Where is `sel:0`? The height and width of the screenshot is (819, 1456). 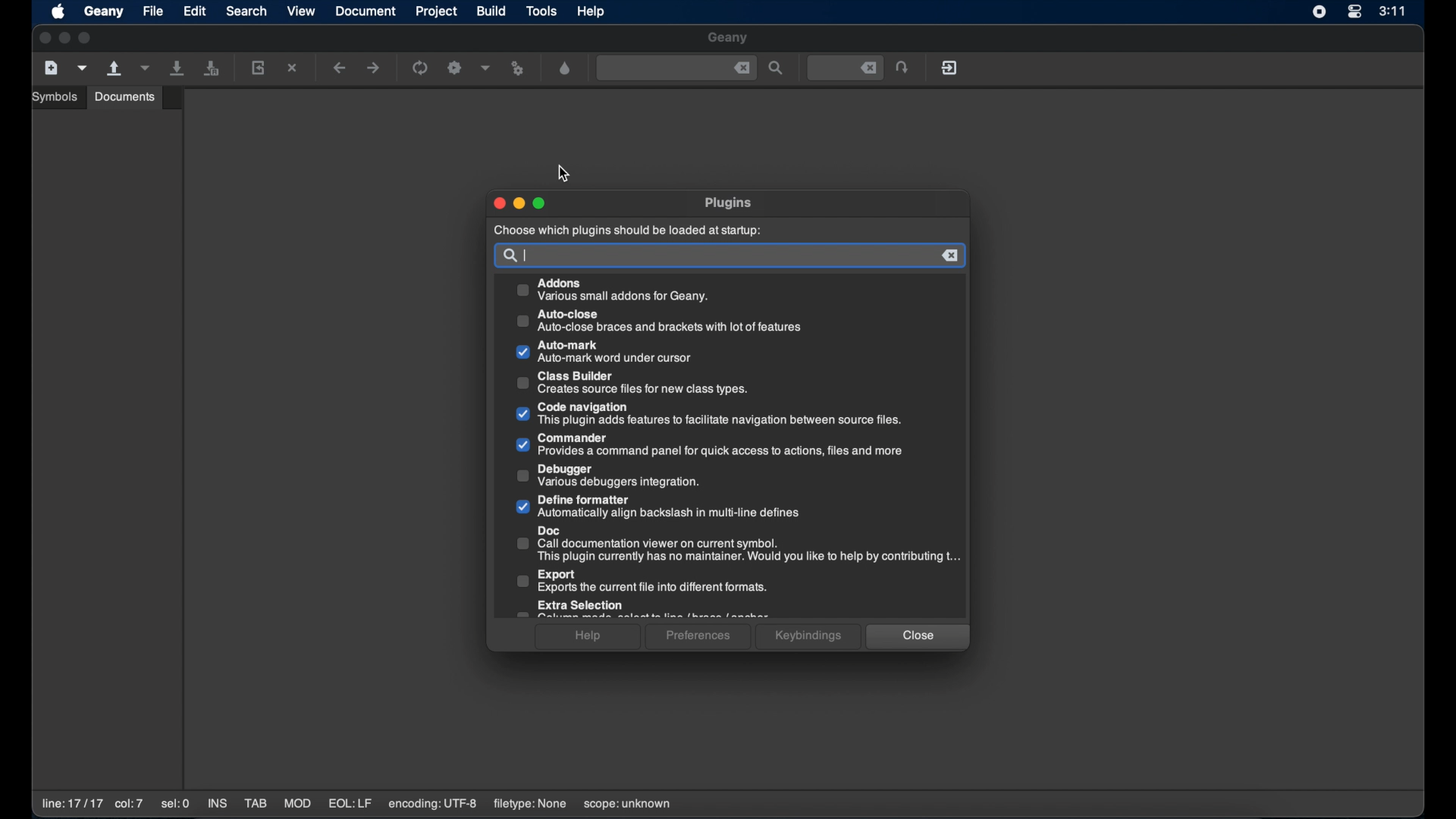 sel:0 is located at coordinates (177, 805).